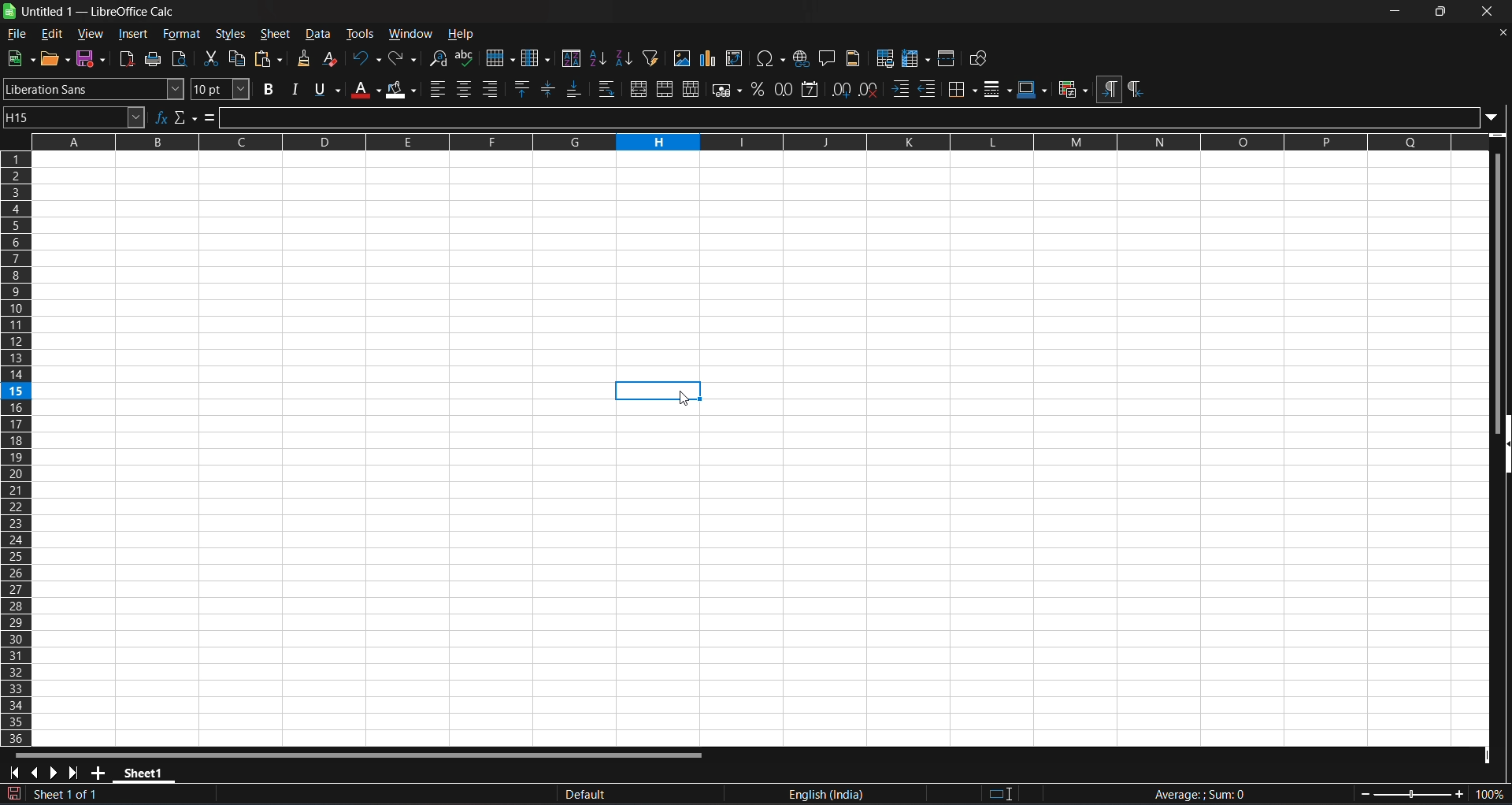  What do you see at coordinates (328, 89) in the screenshot?
I see `underlinr` at bounding box center [328, 89].